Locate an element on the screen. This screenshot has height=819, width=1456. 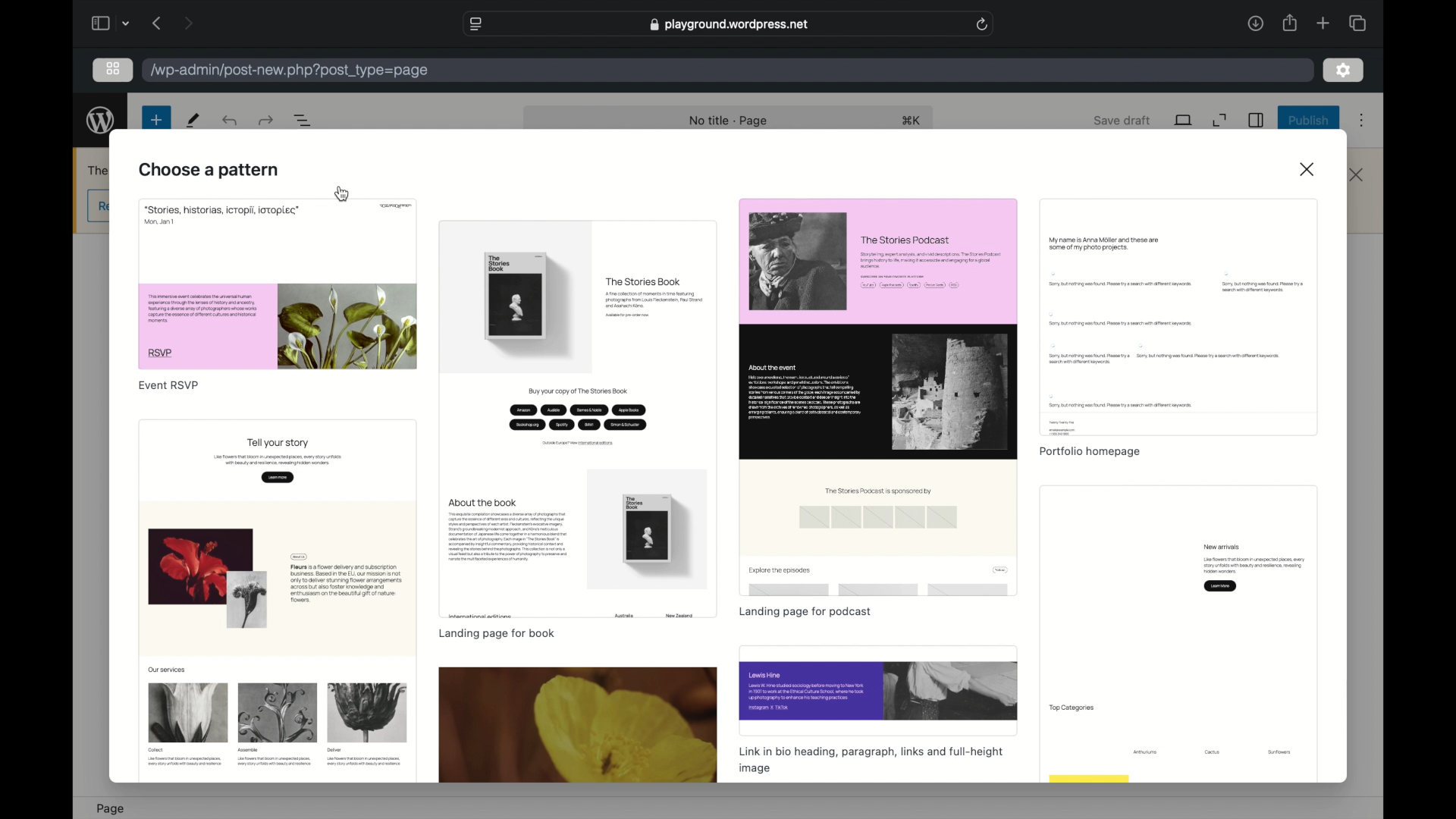
save draft is located at coordinates (1123, 120).